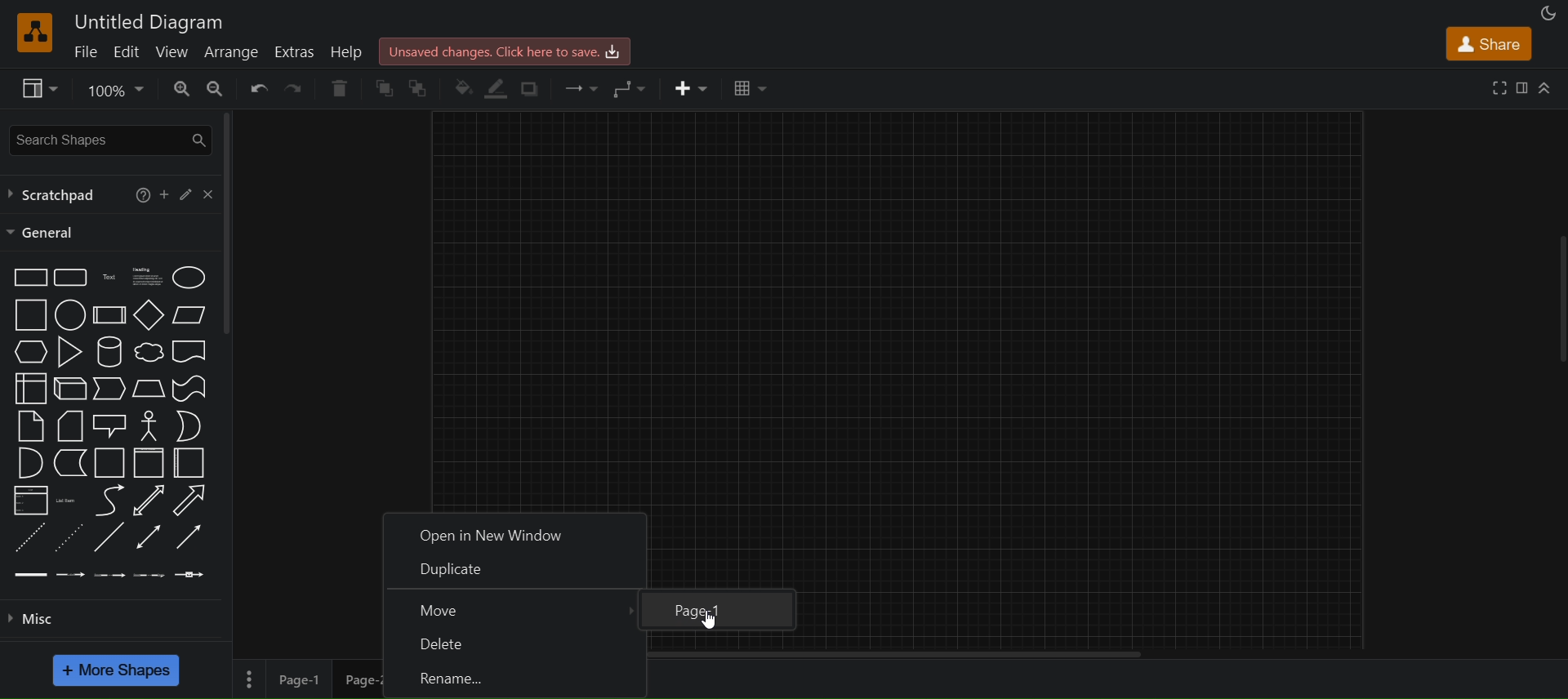 This screenshot has height=699, width=1568. I want to click on ellipse, so click(189, 277).